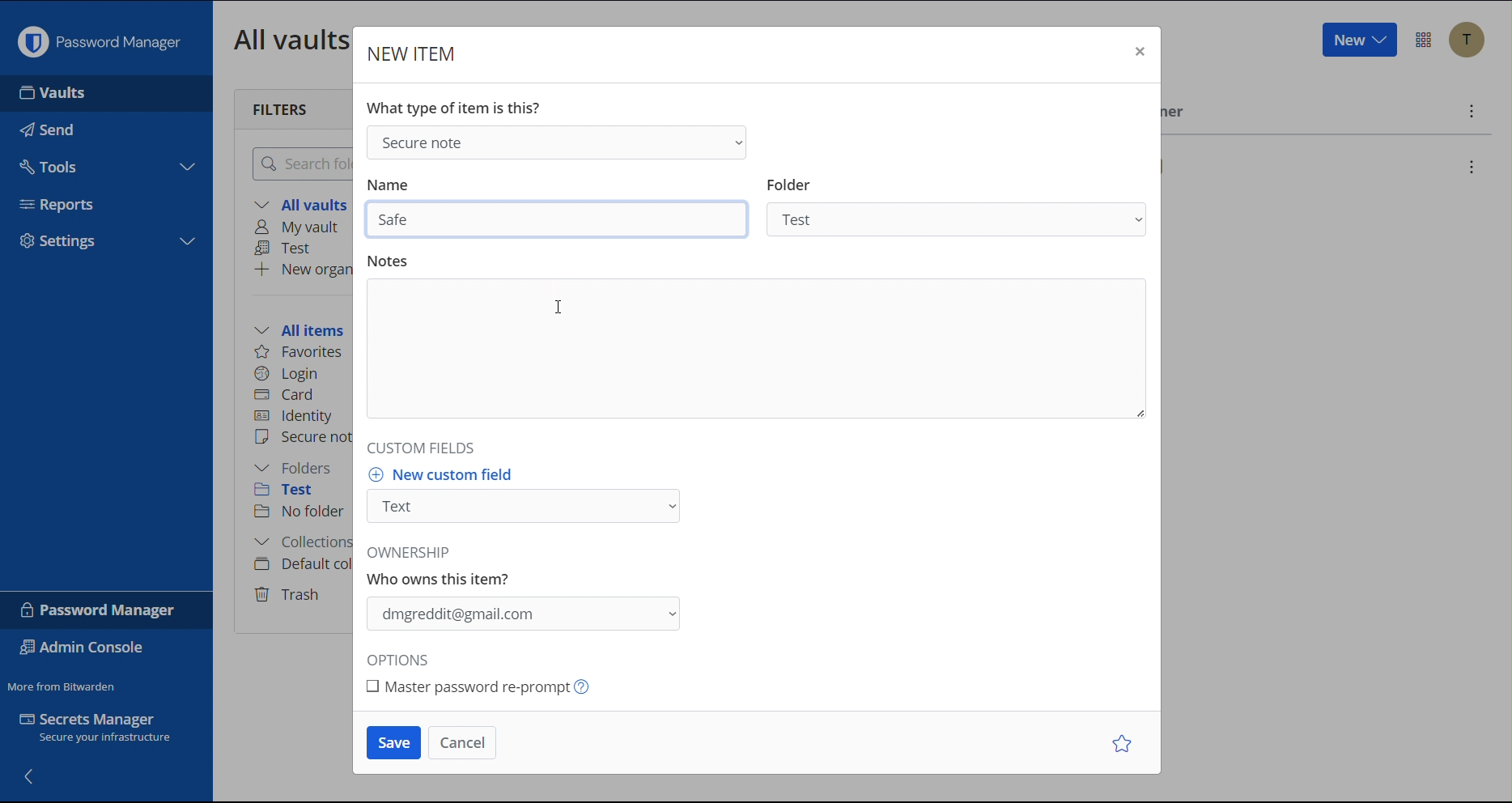  I want to click on Ownership, so click(522, 614).